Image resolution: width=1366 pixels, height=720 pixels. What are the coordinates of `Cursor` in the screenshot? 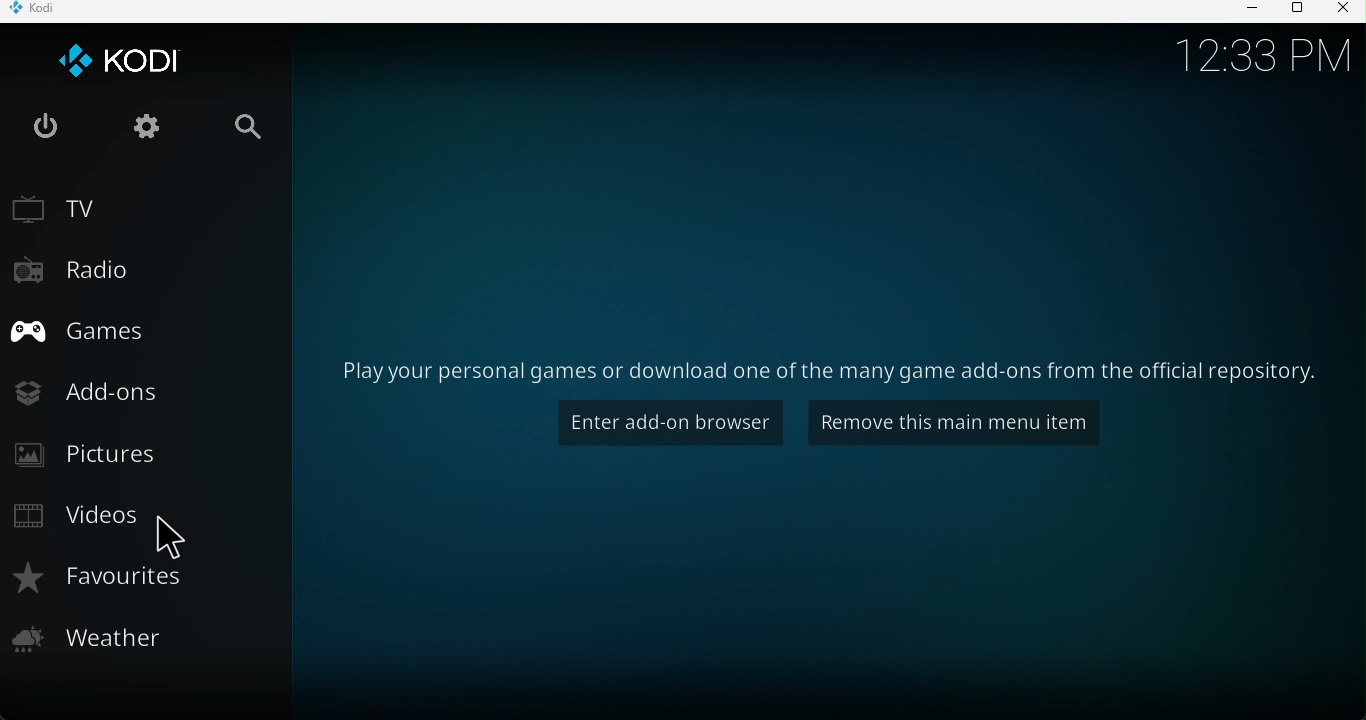 It's located at (178, 538).